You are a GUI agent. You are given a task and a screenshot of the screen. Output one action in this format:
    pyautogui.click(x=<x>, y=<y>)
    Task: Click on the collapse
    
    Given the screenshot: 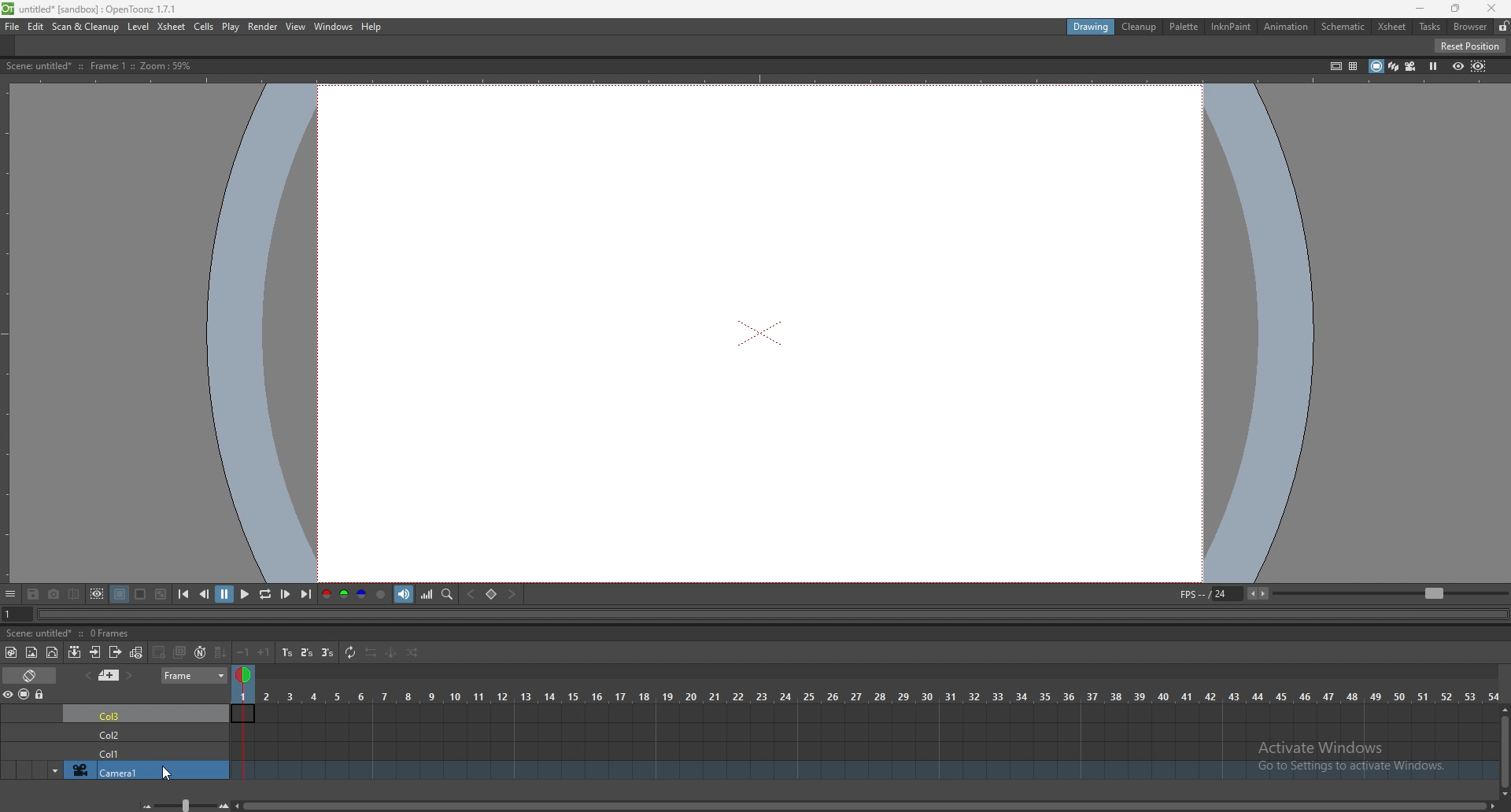 What is the action you would take?
    pyautogui.click(x=75, y=652)
    